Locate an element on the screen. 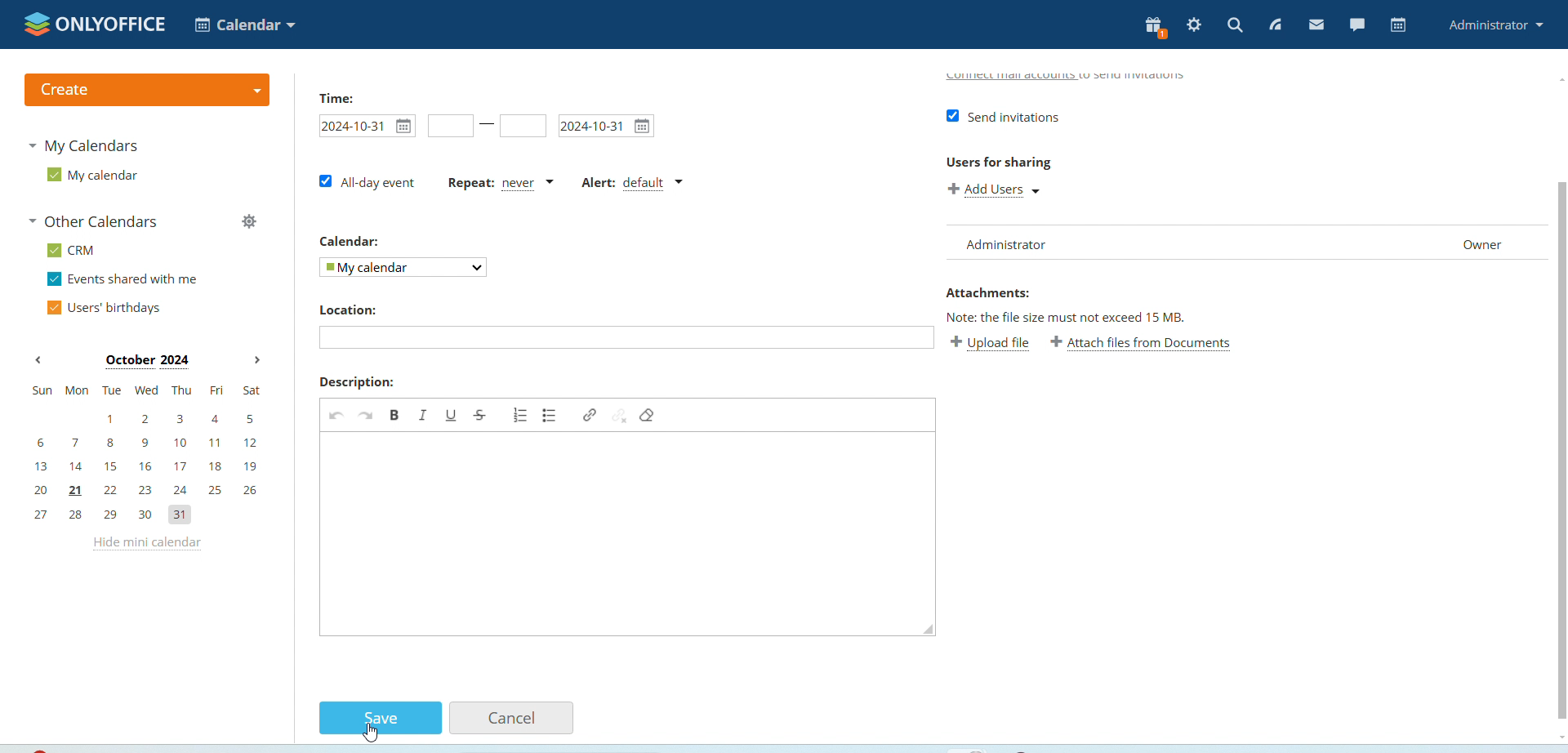 This screenshot has height=753, width=1568. chat is located at coordinates (1359, 23).